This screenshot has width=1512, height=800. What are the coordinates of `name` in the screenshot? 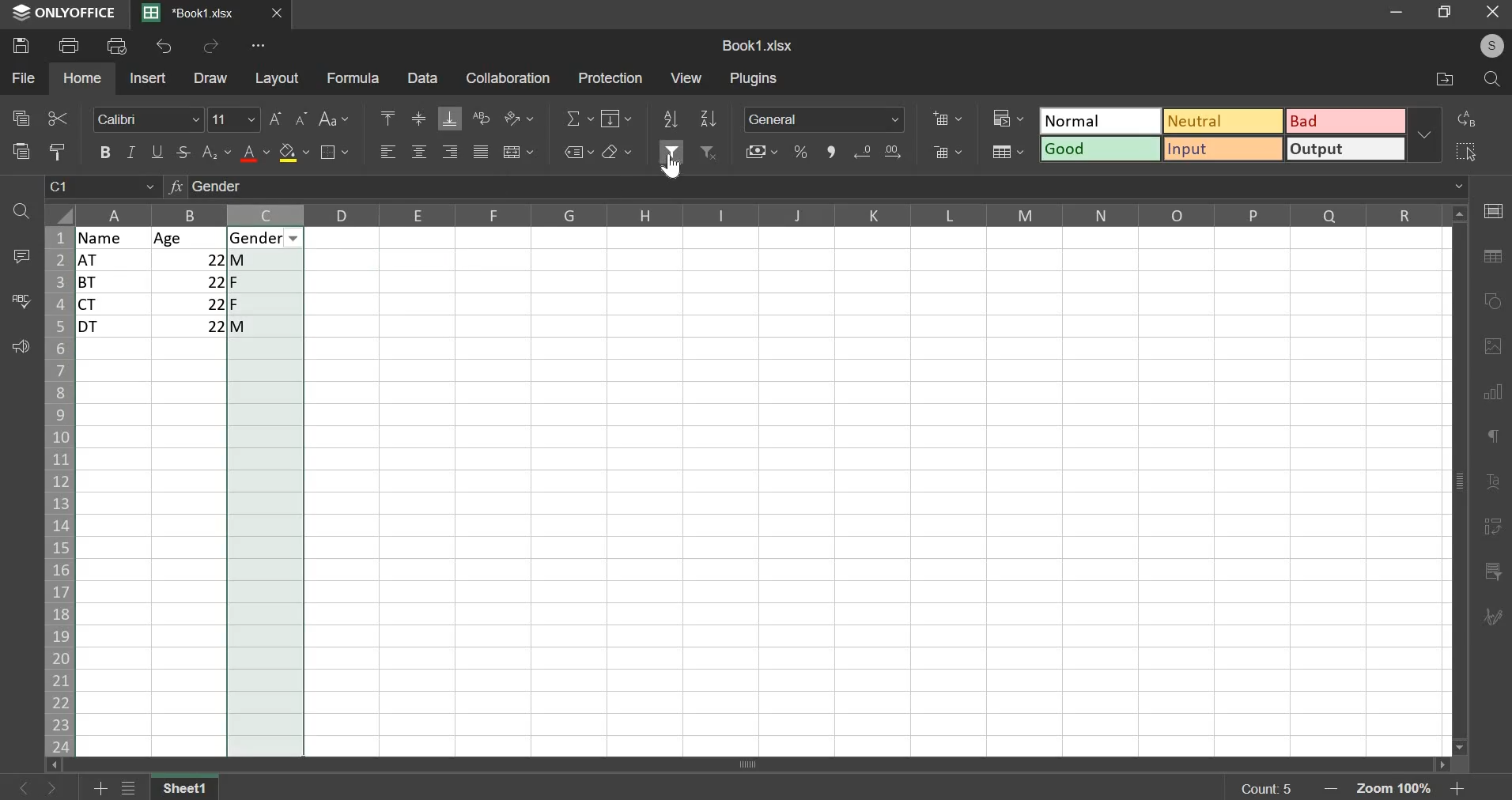 It's located at (115, 237).